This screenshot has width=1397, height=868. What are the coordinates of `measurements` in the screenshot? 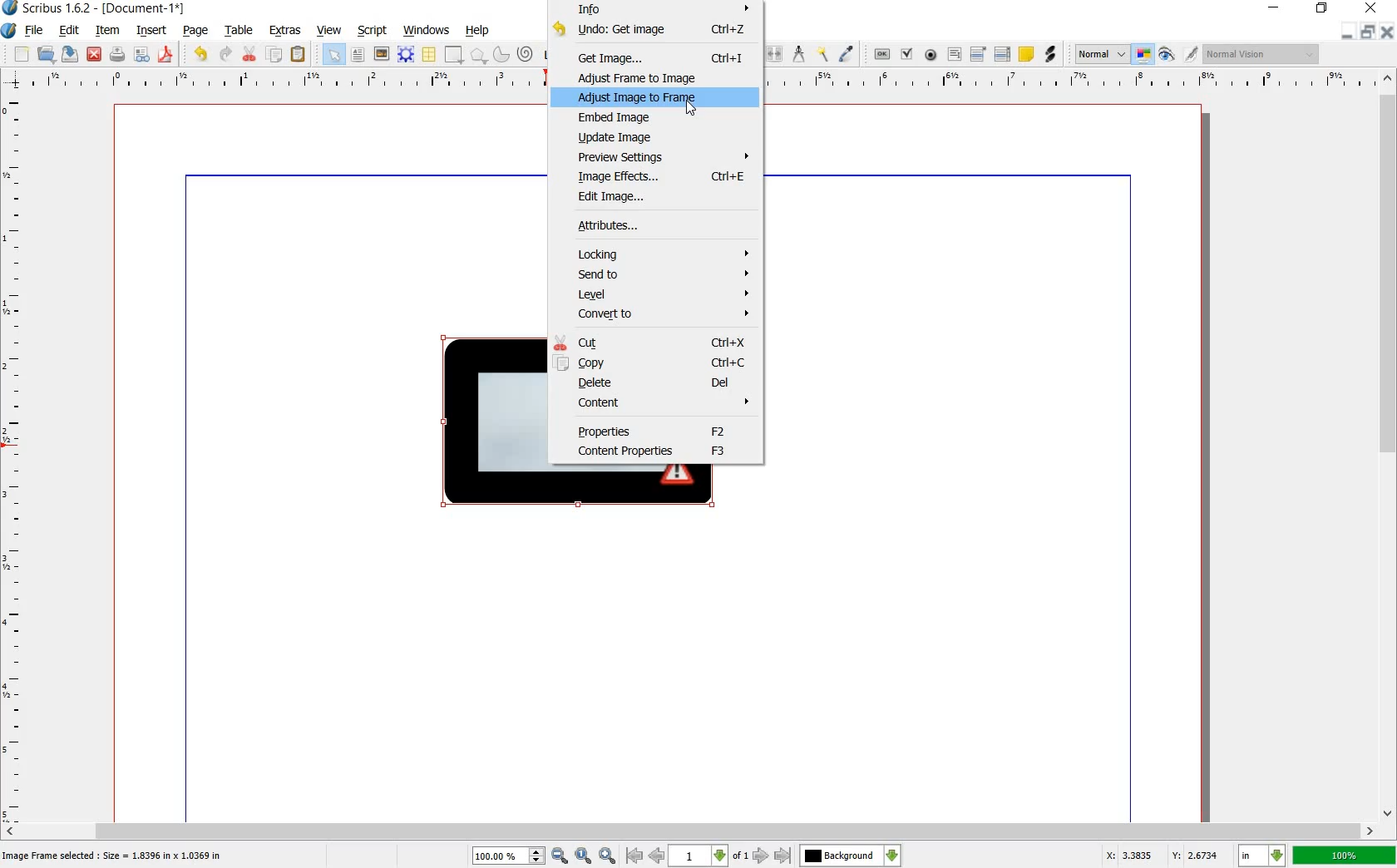 It's located at (799, 53).